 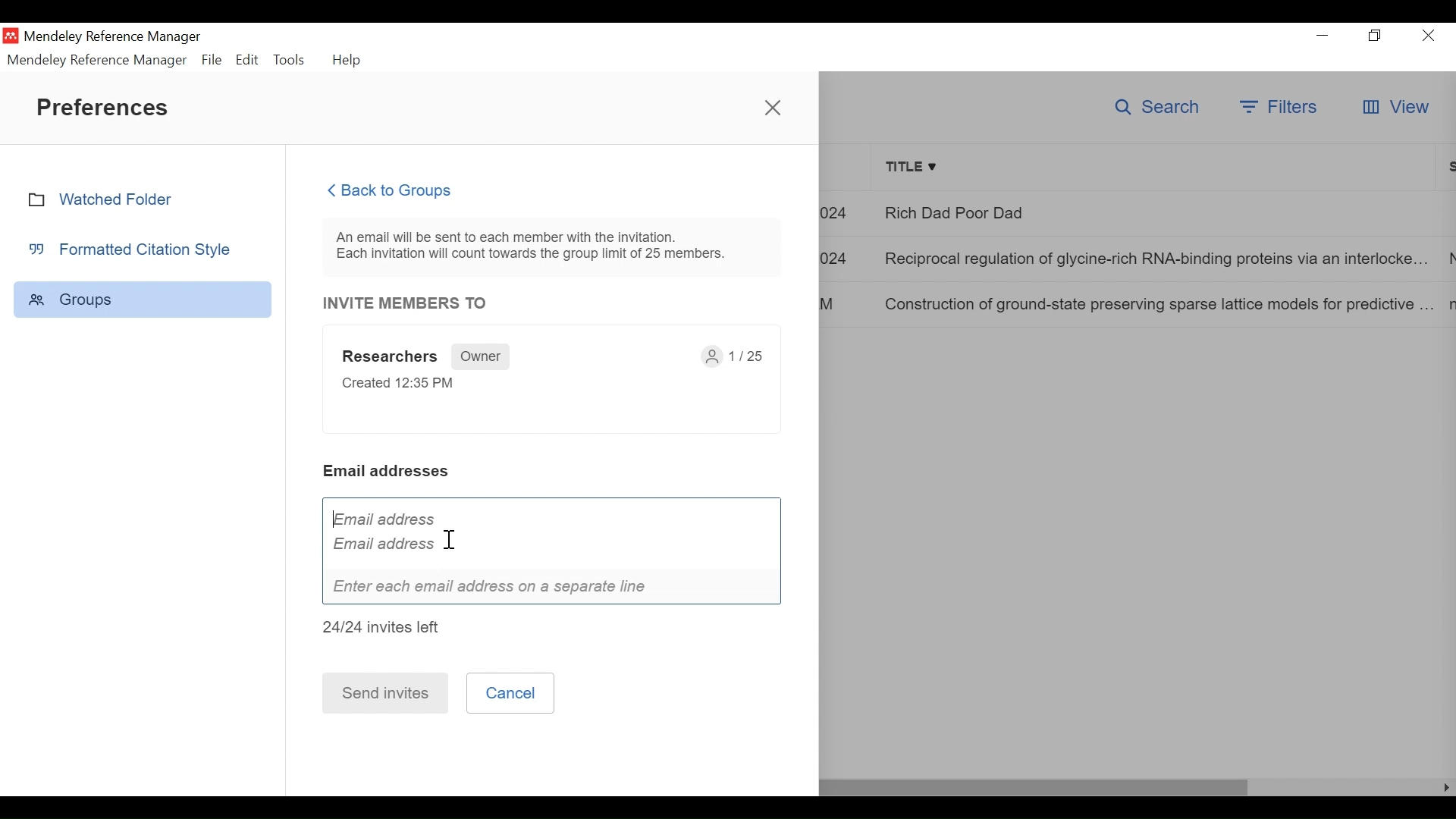 What do you see at coordinates (1159, 257) in the screenshot?
I see `Reciprocal regulation of glycine-rich RNA-binding proteins via an interlocked..` at bounding box center [1159, 257].